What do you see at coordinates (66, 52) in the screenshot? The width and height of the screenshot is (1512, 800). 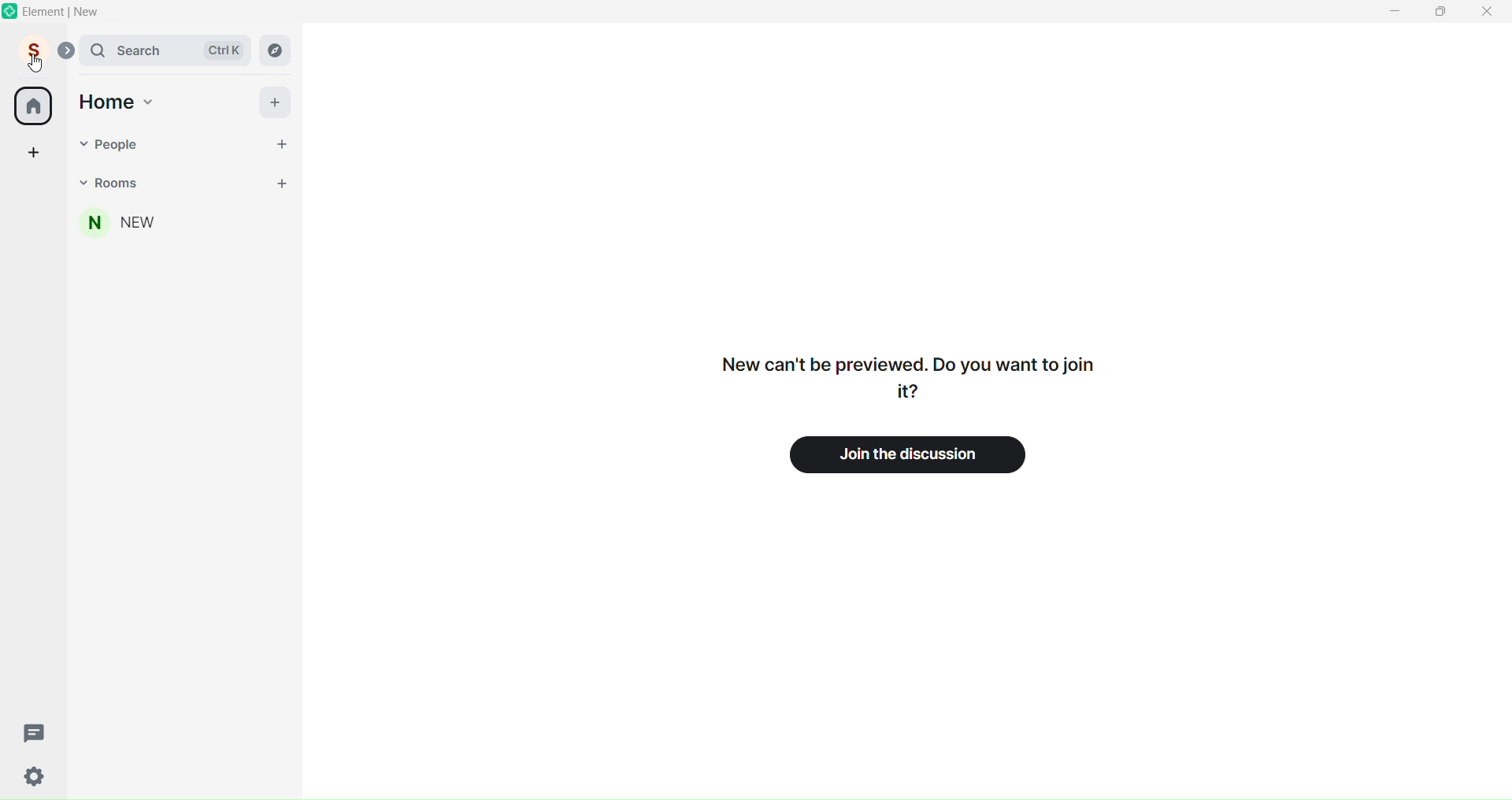 I see `Expand` at bounding box center [66, 52].